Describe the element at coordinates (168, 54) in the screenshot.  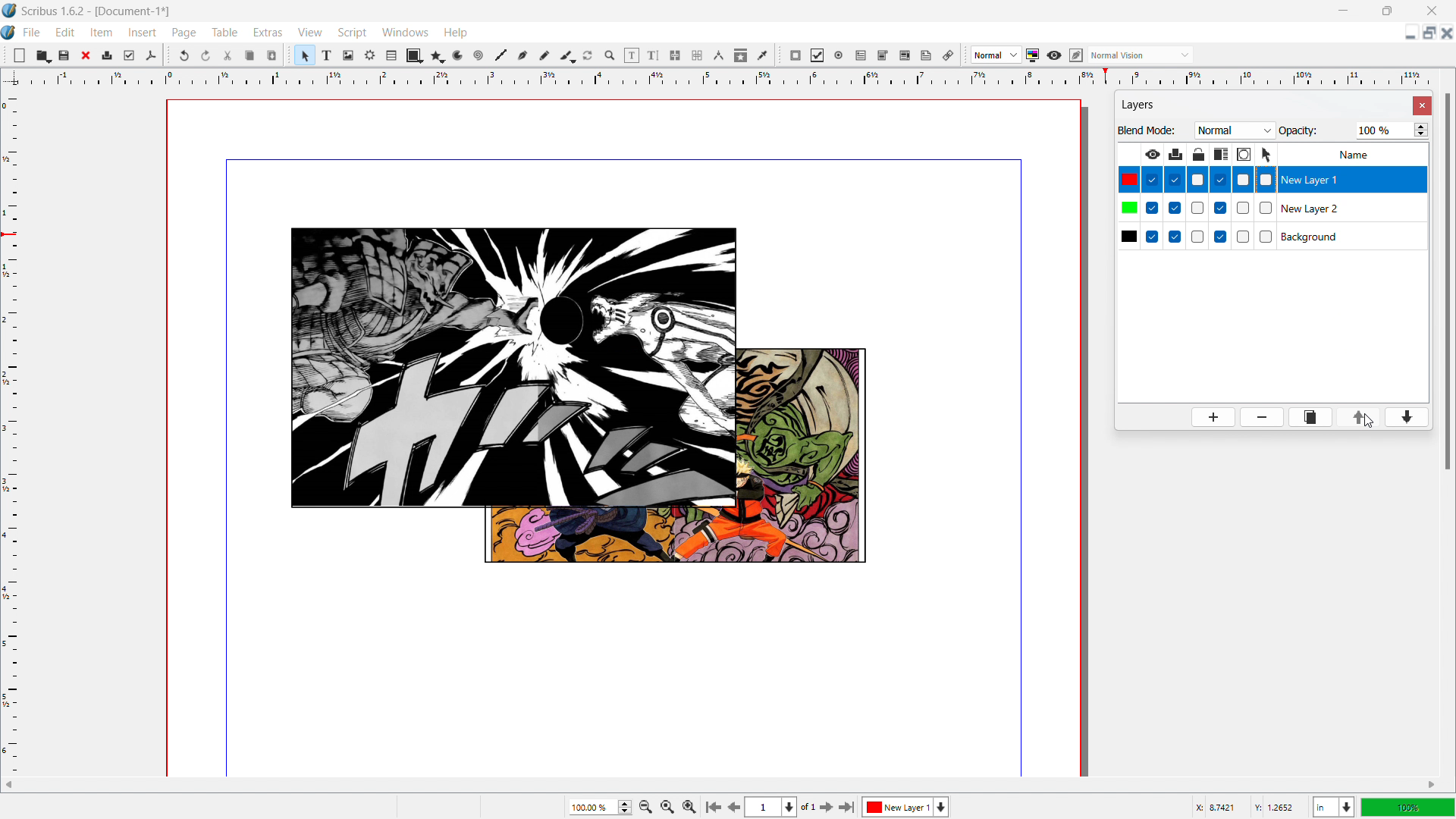
I see `move toolbox` at that location.